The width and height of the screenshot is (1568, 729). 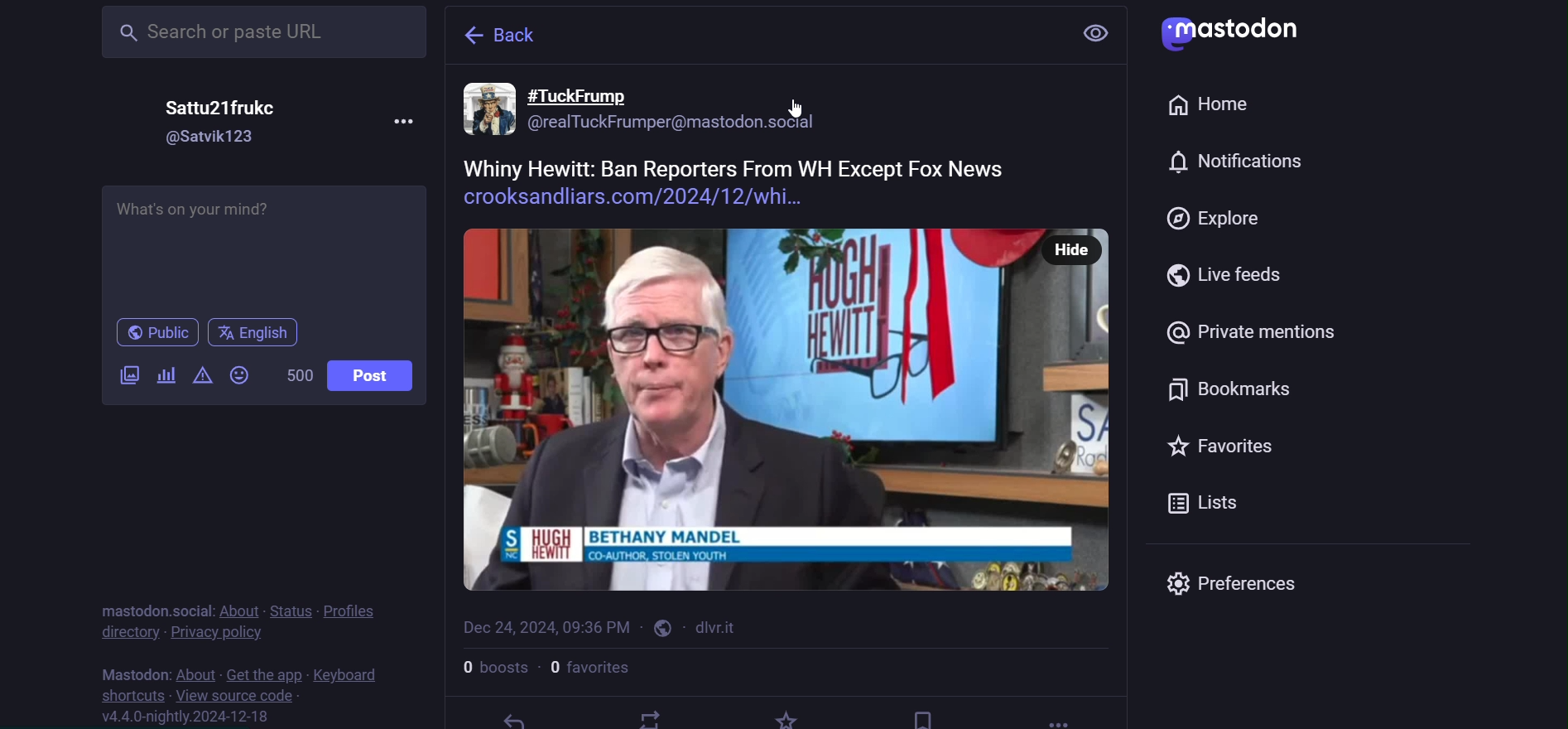 What do you see at coordinates (356, 608) in the screenshot?
I see `profile` at bounding box center [356, 608].